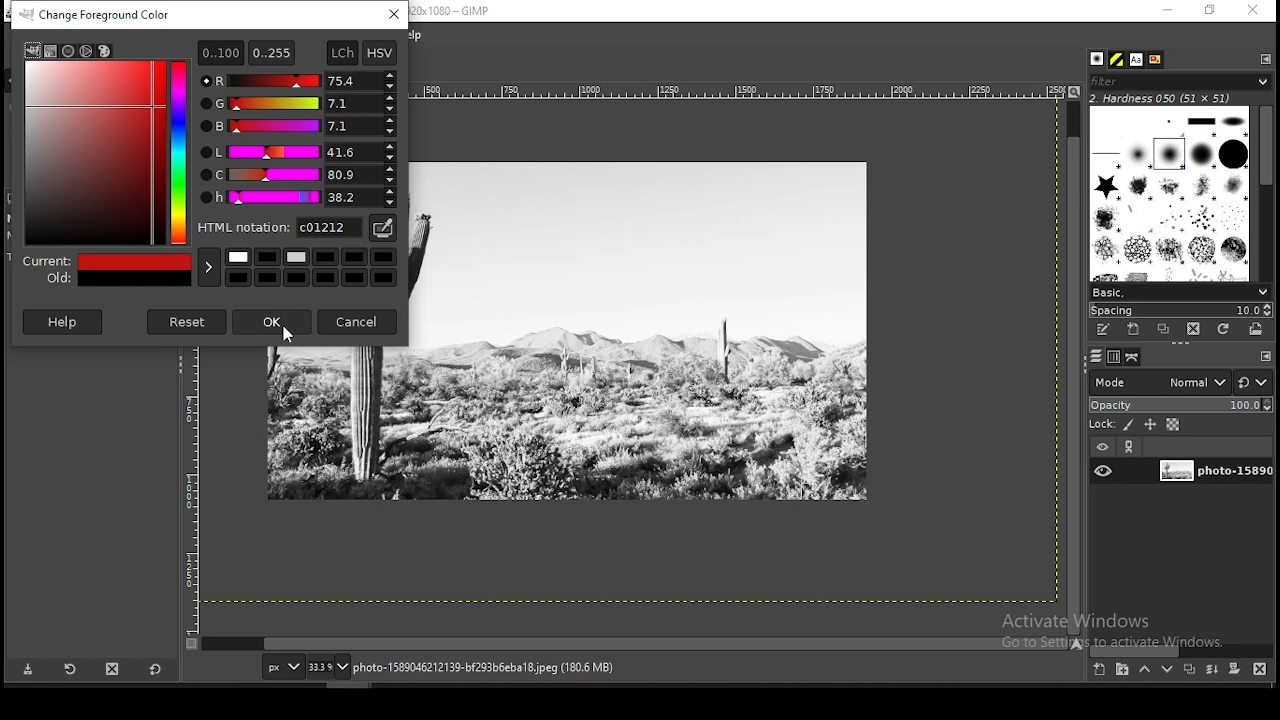 The image size is (1280, 720). I want to click on lch, so click(343, 51).